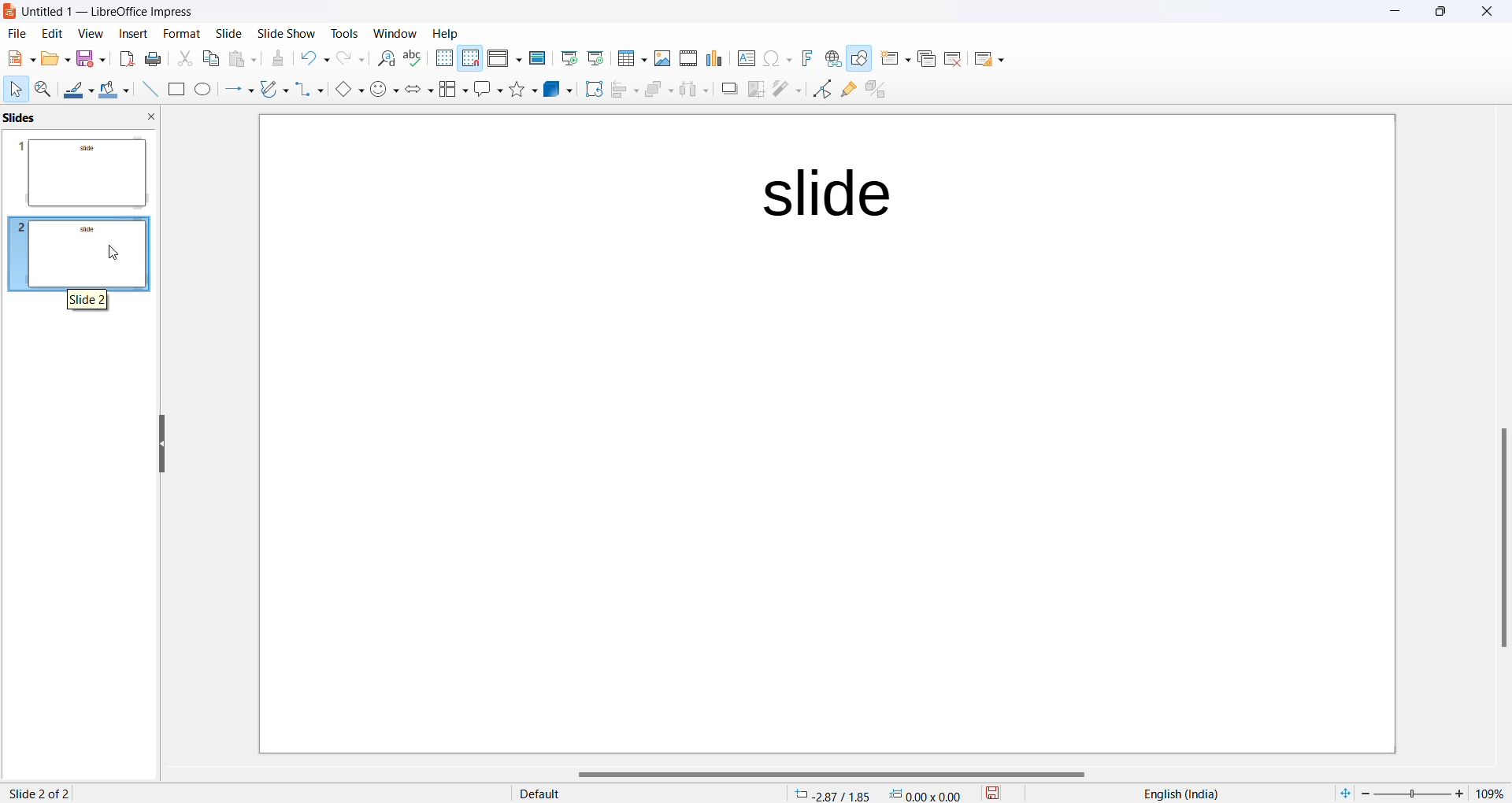 The image size is (1512, 803). I want to click on Start from first slide, so click(569, 59).